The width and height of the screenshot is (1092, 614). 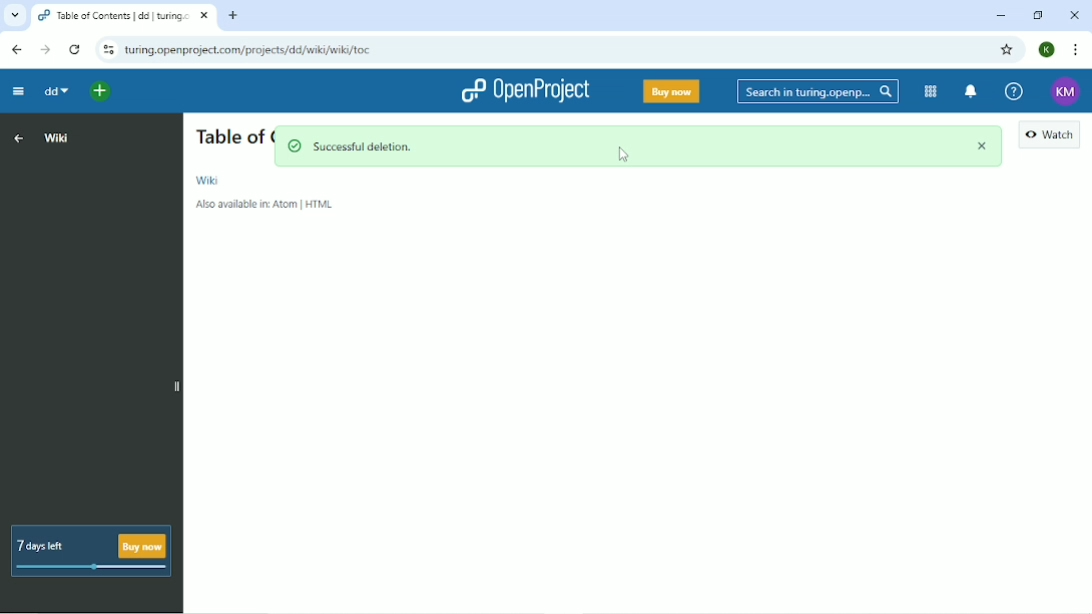 What do you see at coordinates (999, 15) in the screenshot?
I see `Minimize` at bounding box center [999, 15].